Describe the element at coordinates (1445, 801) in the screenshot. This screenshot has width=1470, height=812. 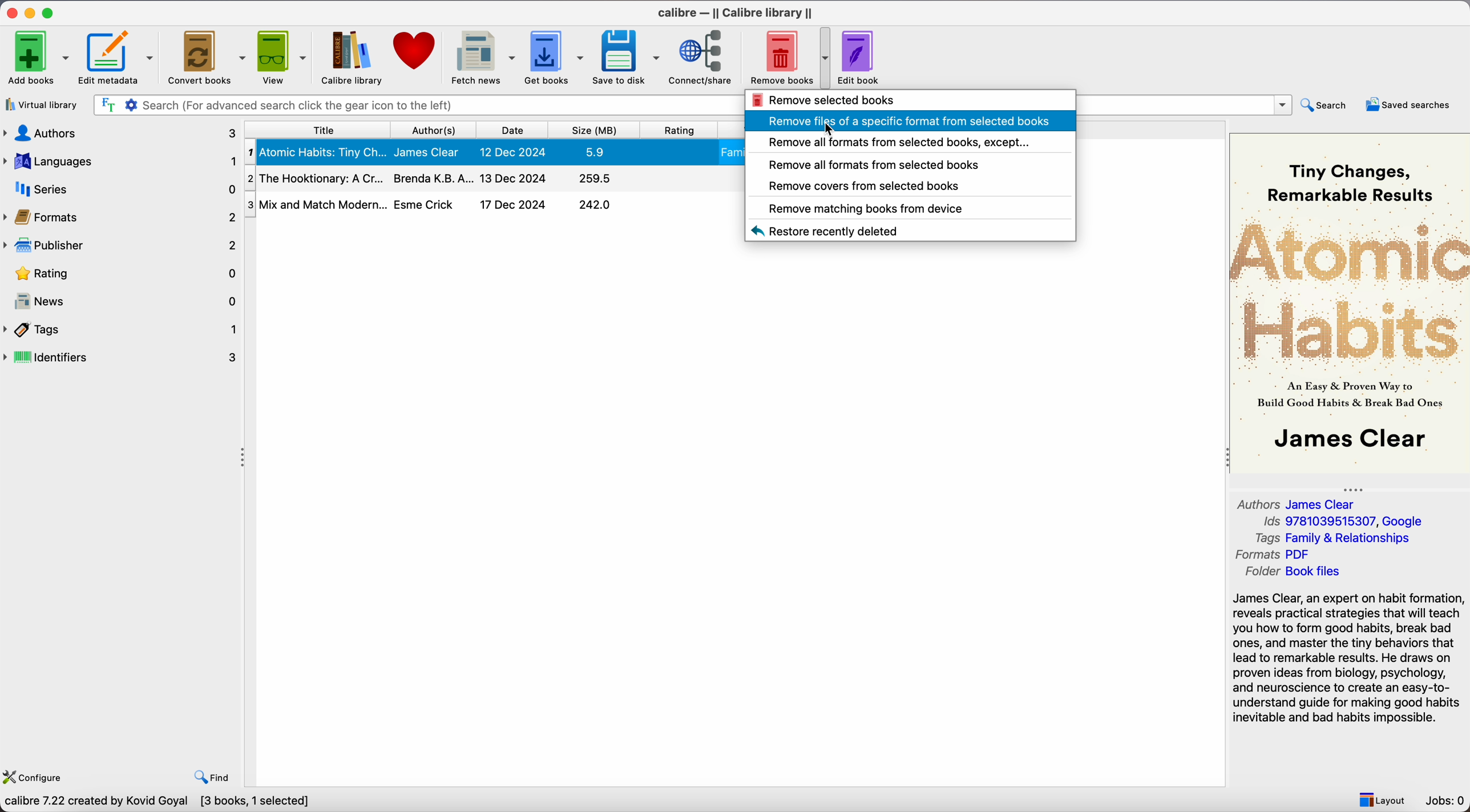
I see `Jobs: 0` at that location.